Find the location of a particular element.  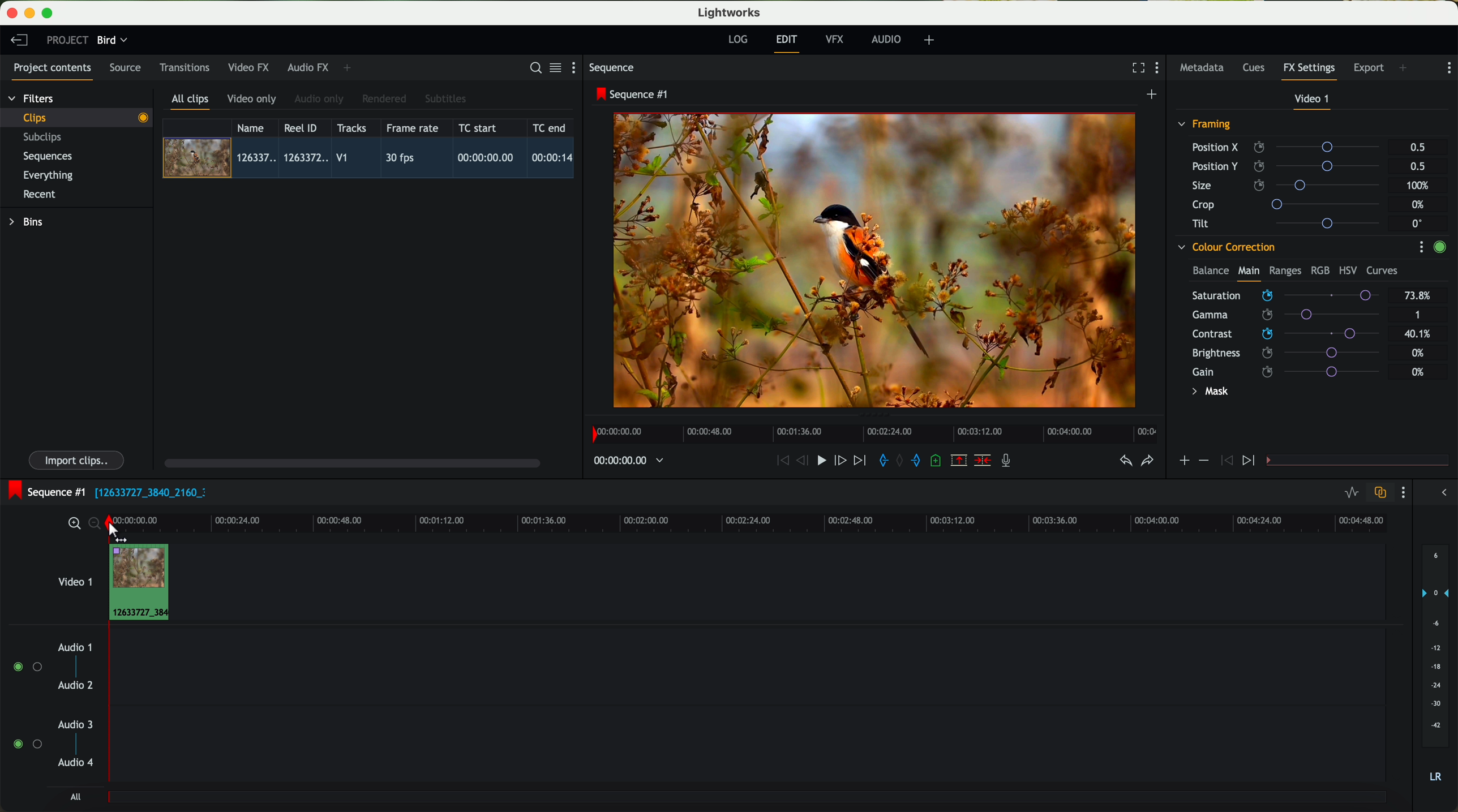

everything is located at coordinates (49, 175).